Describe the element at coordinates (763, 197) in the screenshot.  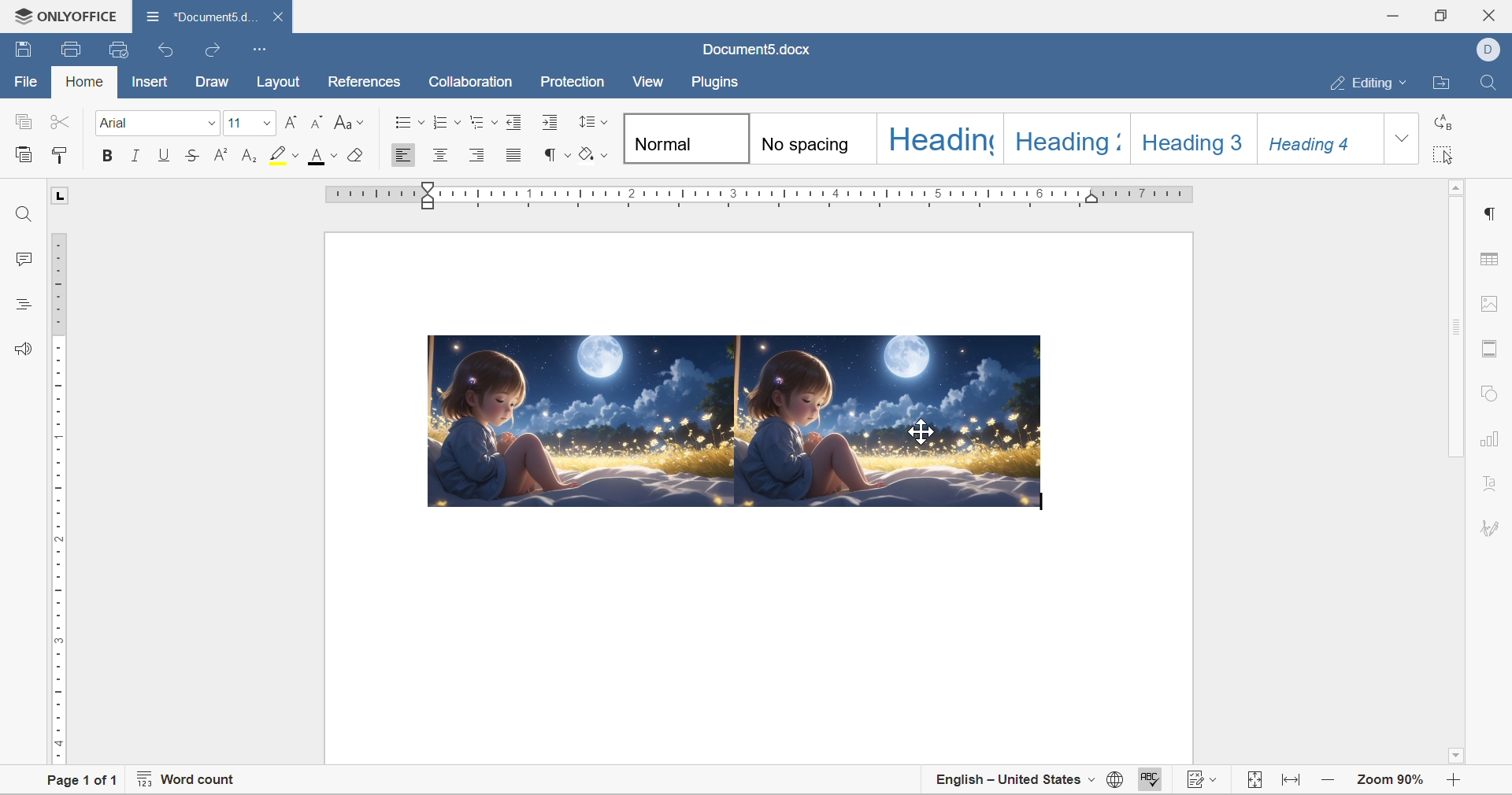
I see `ruler` at that location.